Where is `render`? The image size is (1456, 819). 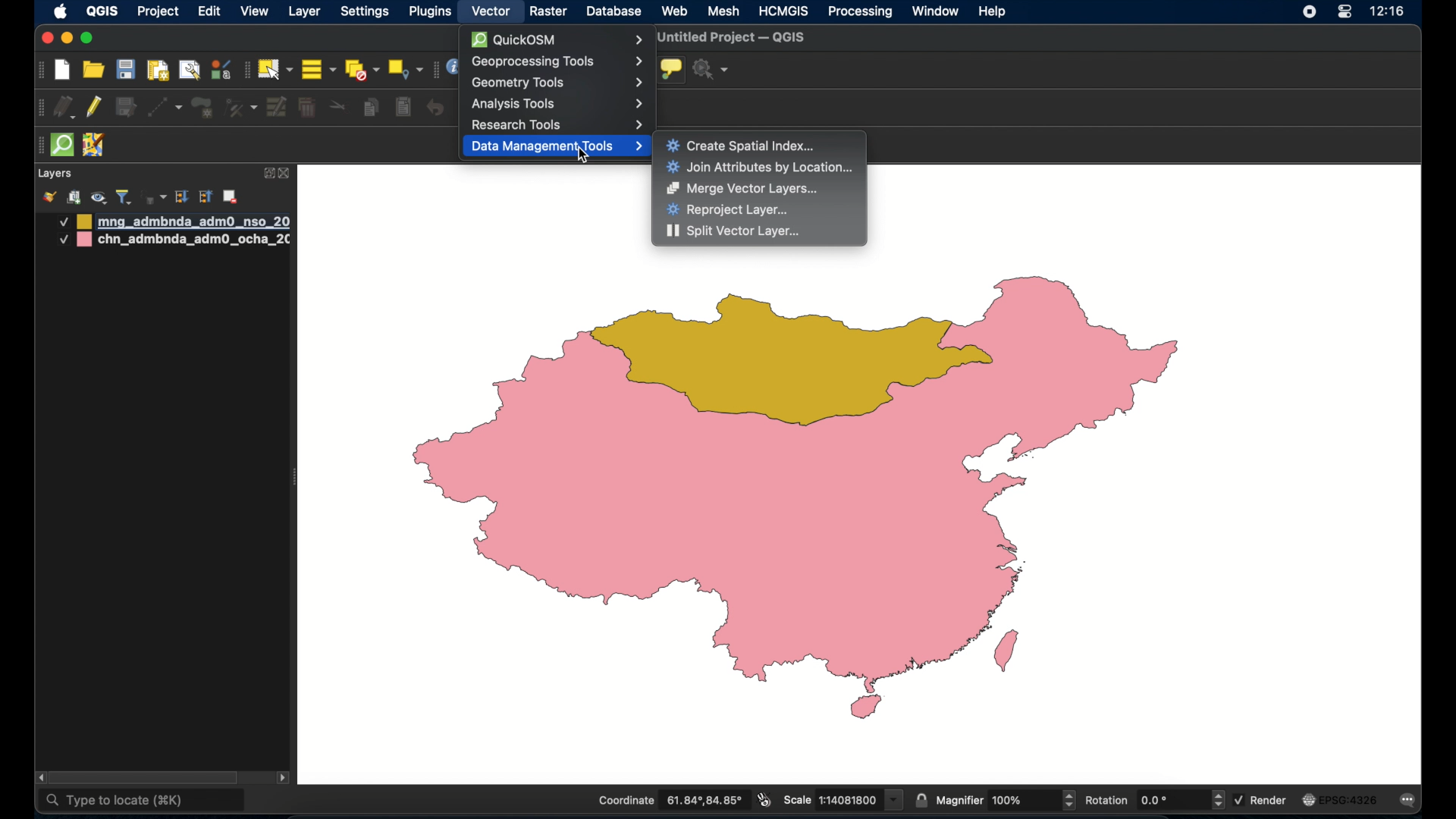 render is located at coordinates (1262, 799).